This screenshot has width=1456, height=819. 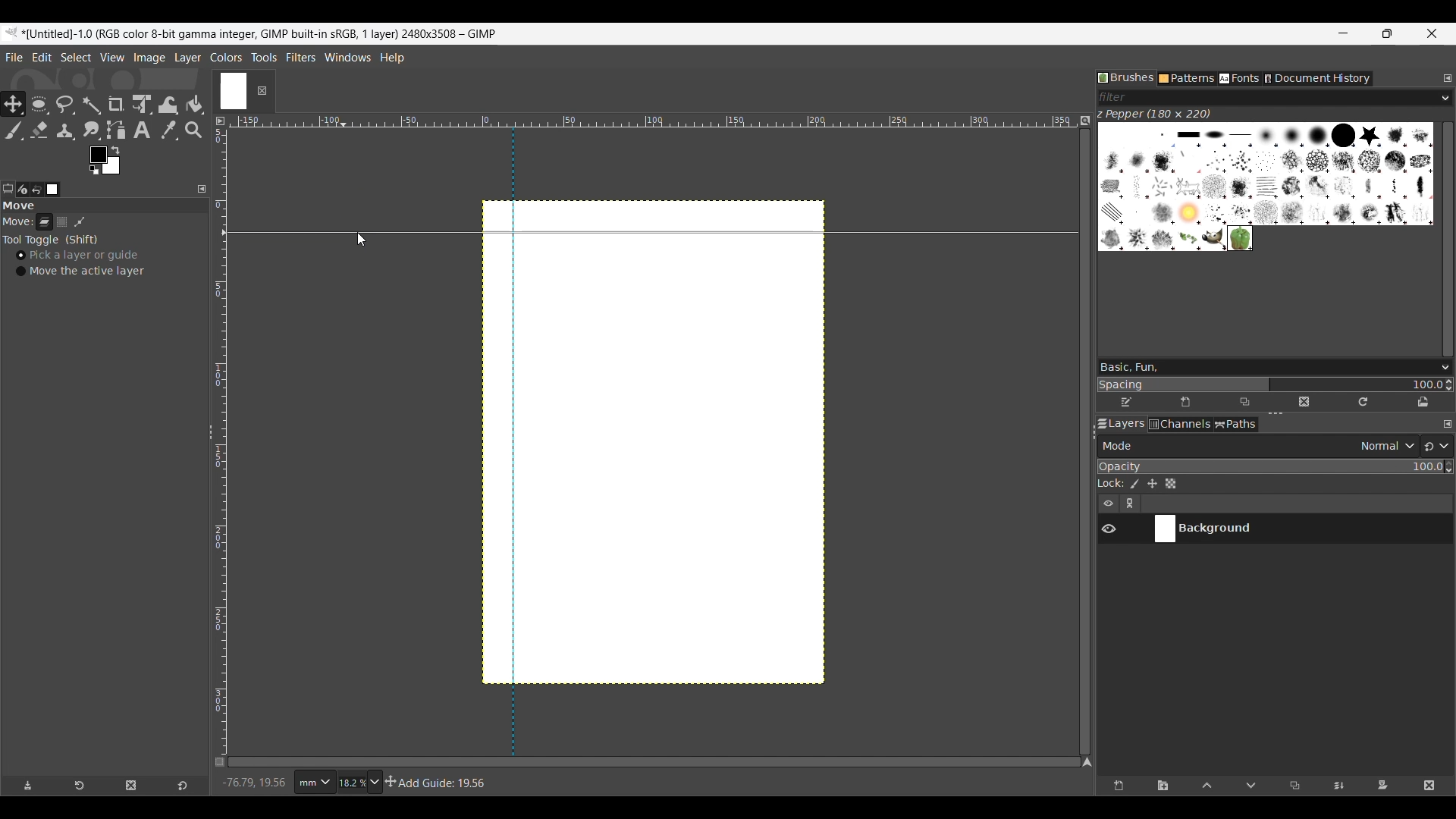 I want to click on Increase/Decrease spacing, so click(x=1449, y=385).